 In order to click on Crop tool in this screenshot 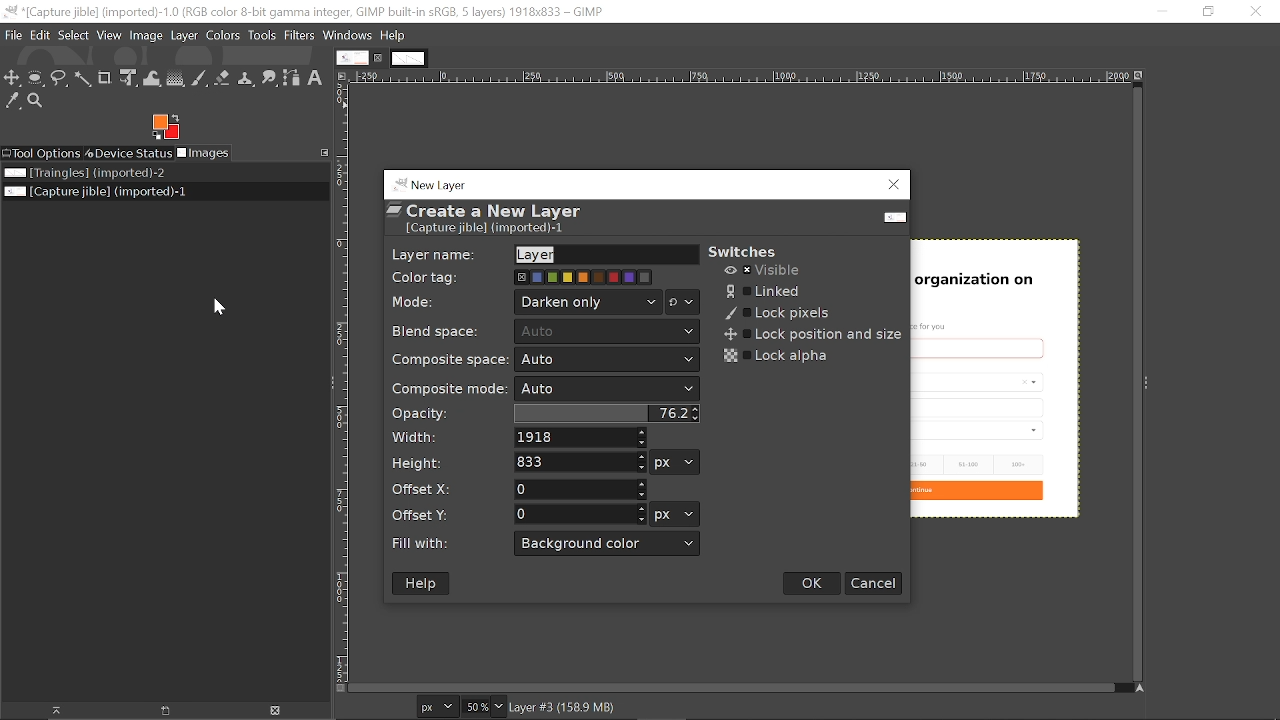, I will do `click(106, 78)`.